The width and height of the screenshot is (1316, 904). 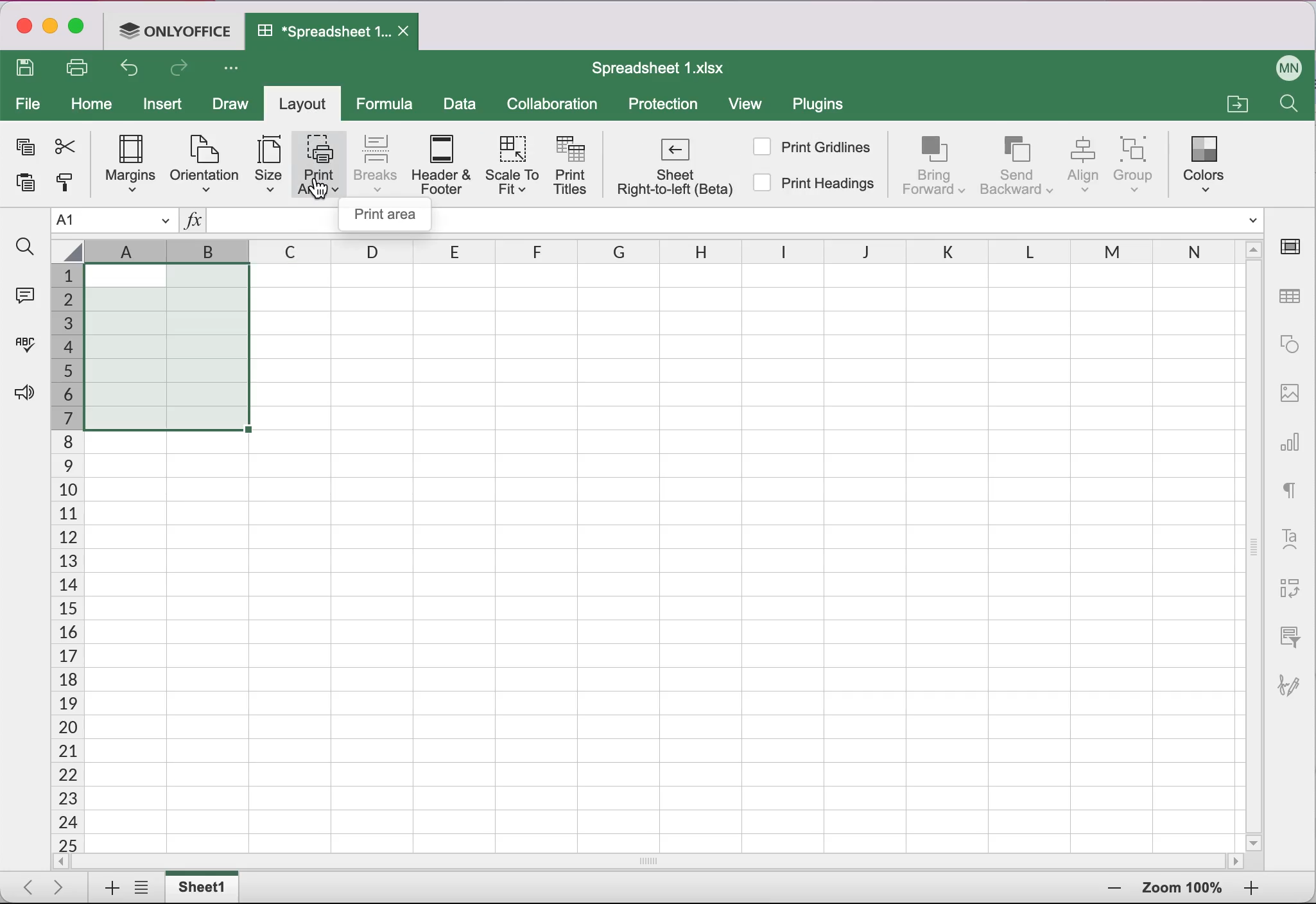 What do you see at coordinates (406, 32) in the screenshot?
I see `Close` at bounding box center [406, 32].